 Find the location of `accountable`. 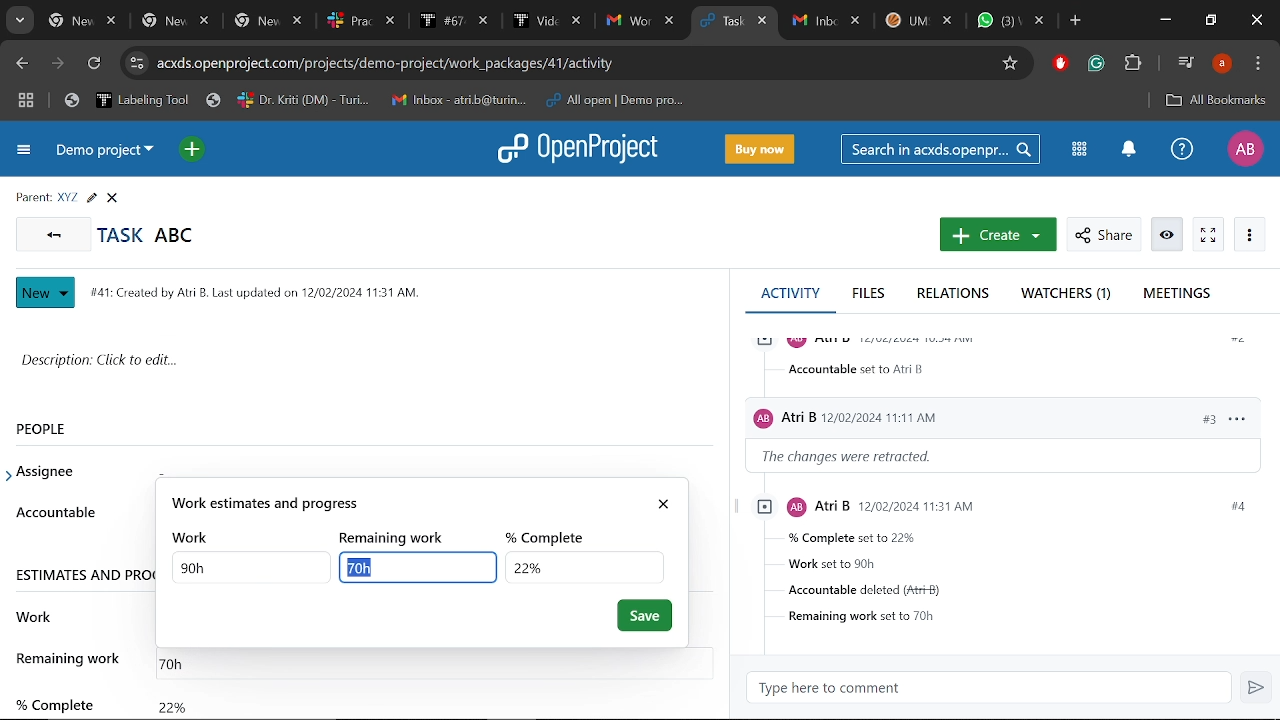

accountable is located at coordinates (55, 512).